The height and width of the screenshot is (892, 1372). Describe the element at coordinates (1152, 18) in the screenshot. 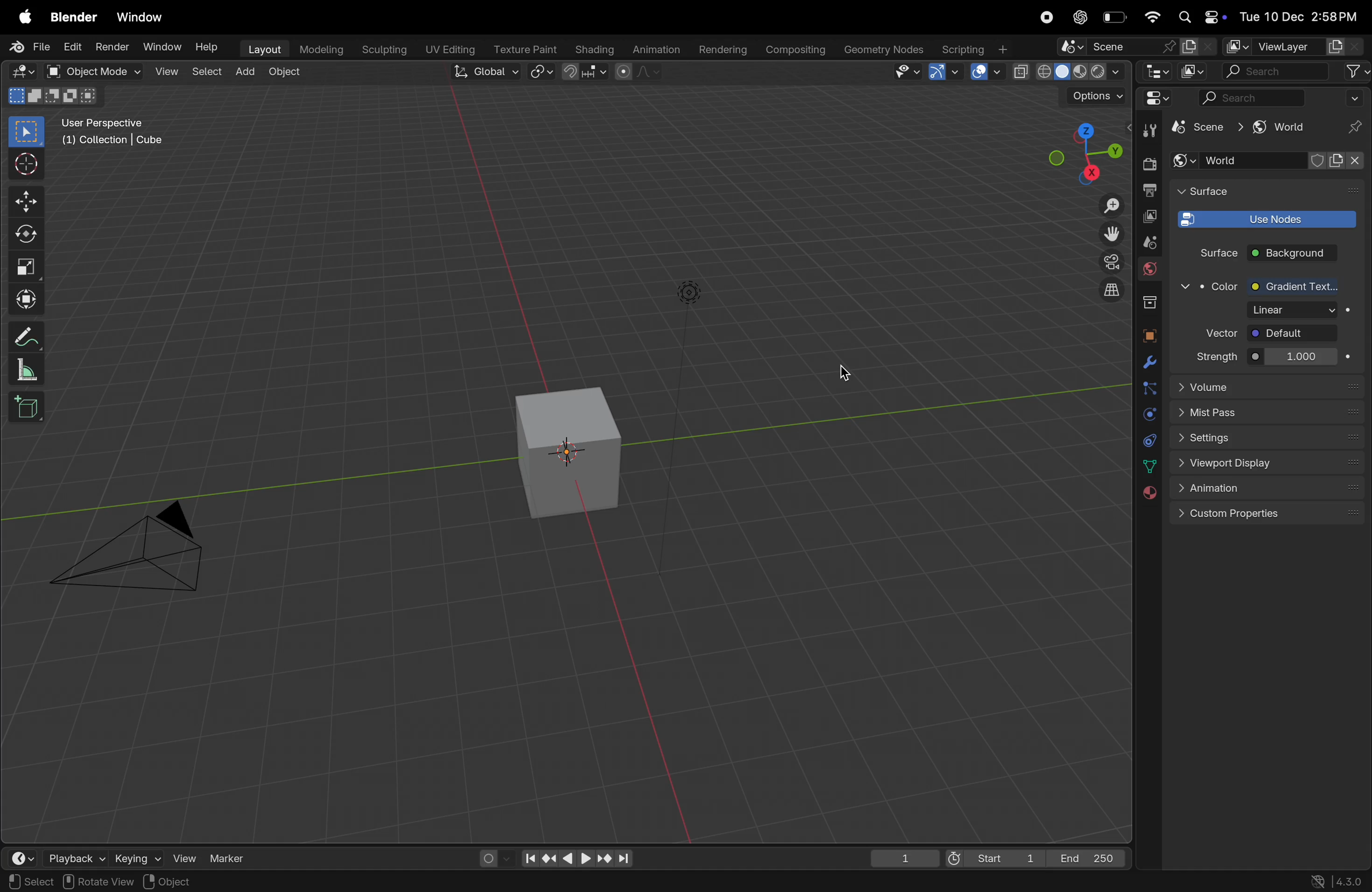

I see `Wifi` at that location.